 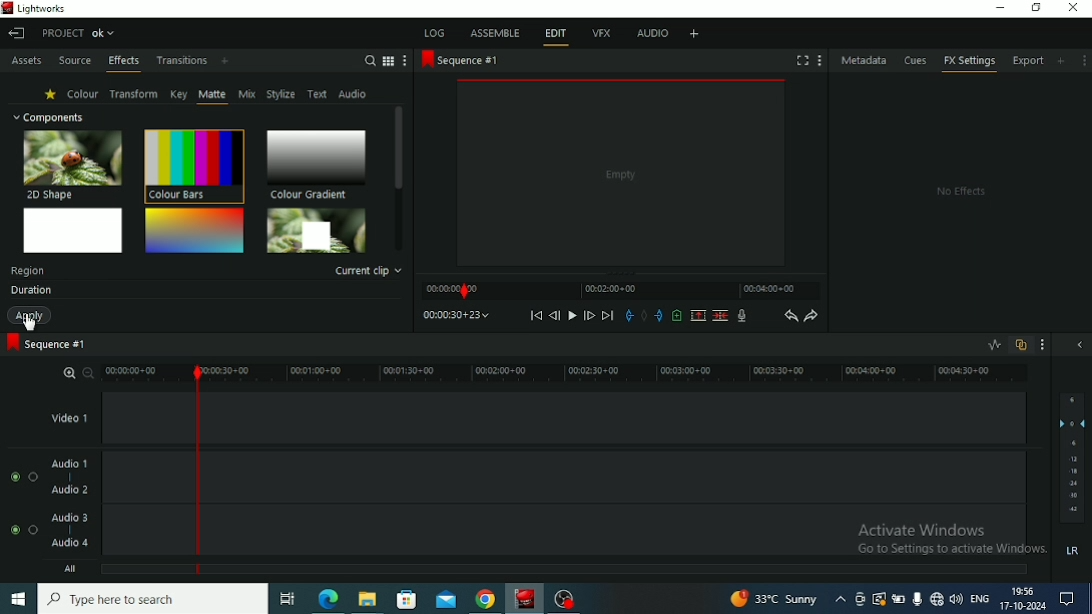 What do you see at coordinates (720, 315) in the screenshot?
I see `Delete` at bounding box center [720, 315].